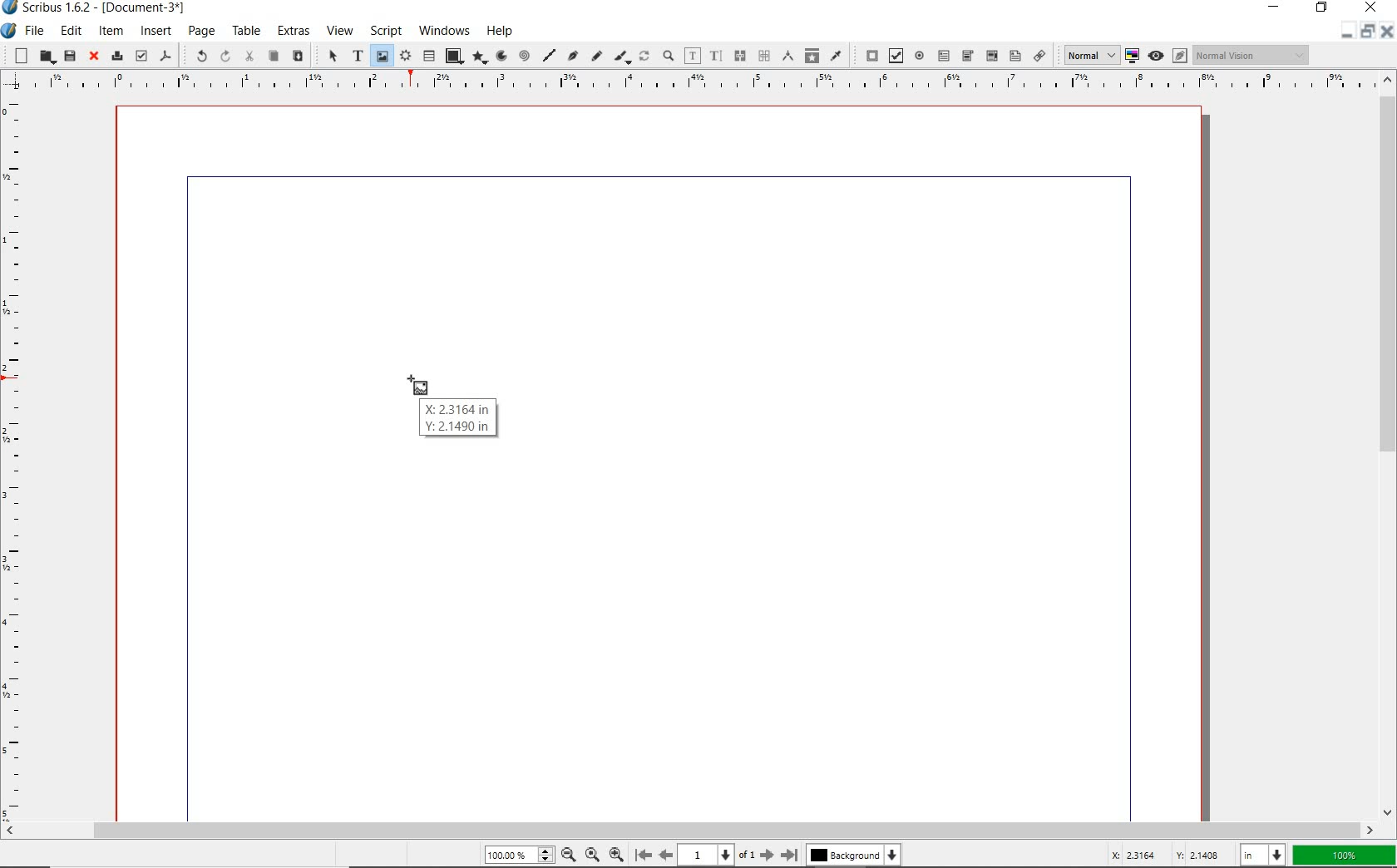  Describe the element at coordinates (684, 81) in the screenshot. I see `RULER` at that location.